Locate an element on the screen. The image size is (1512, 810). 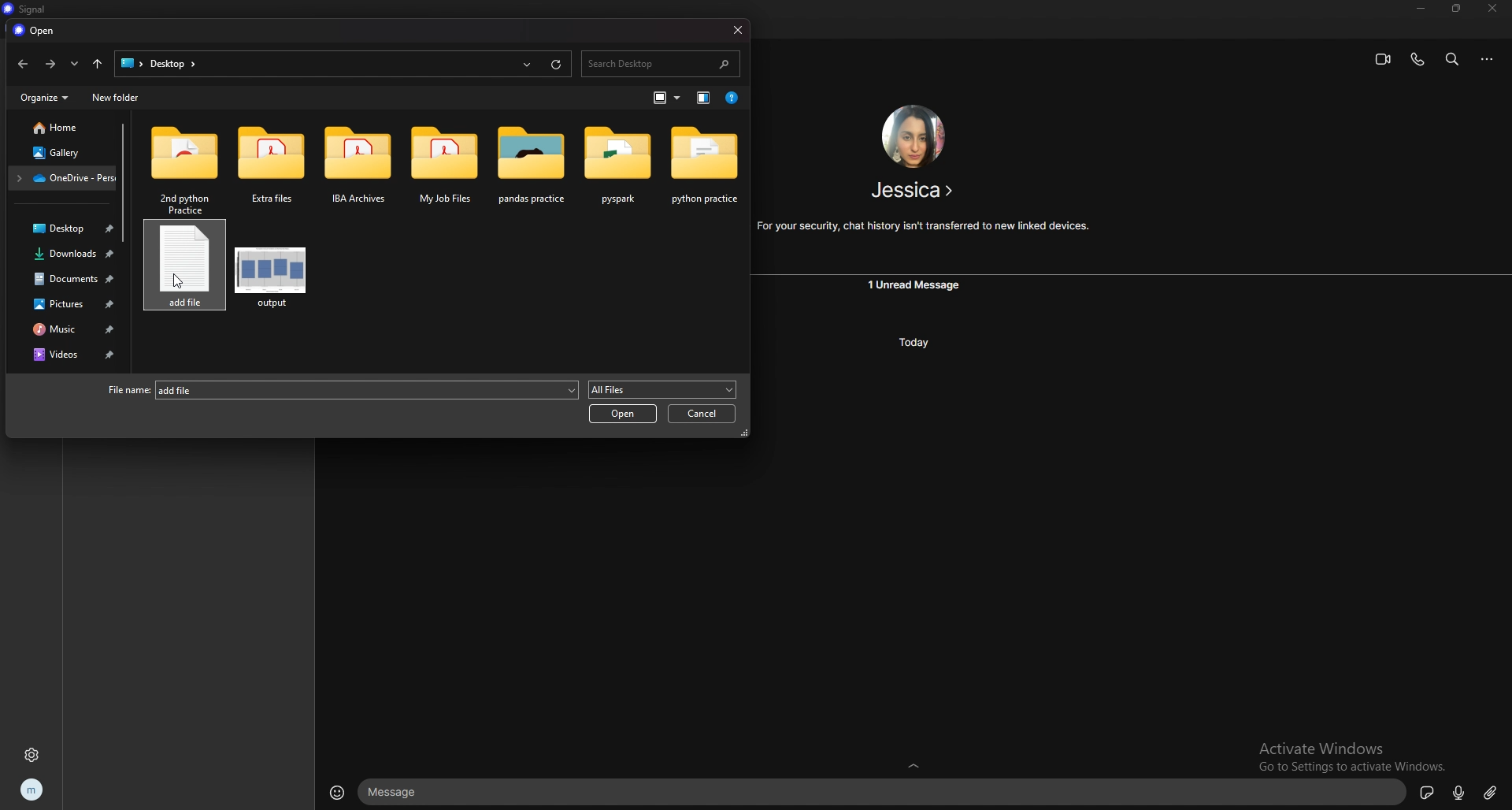
open is located at coordinates (35, 31).